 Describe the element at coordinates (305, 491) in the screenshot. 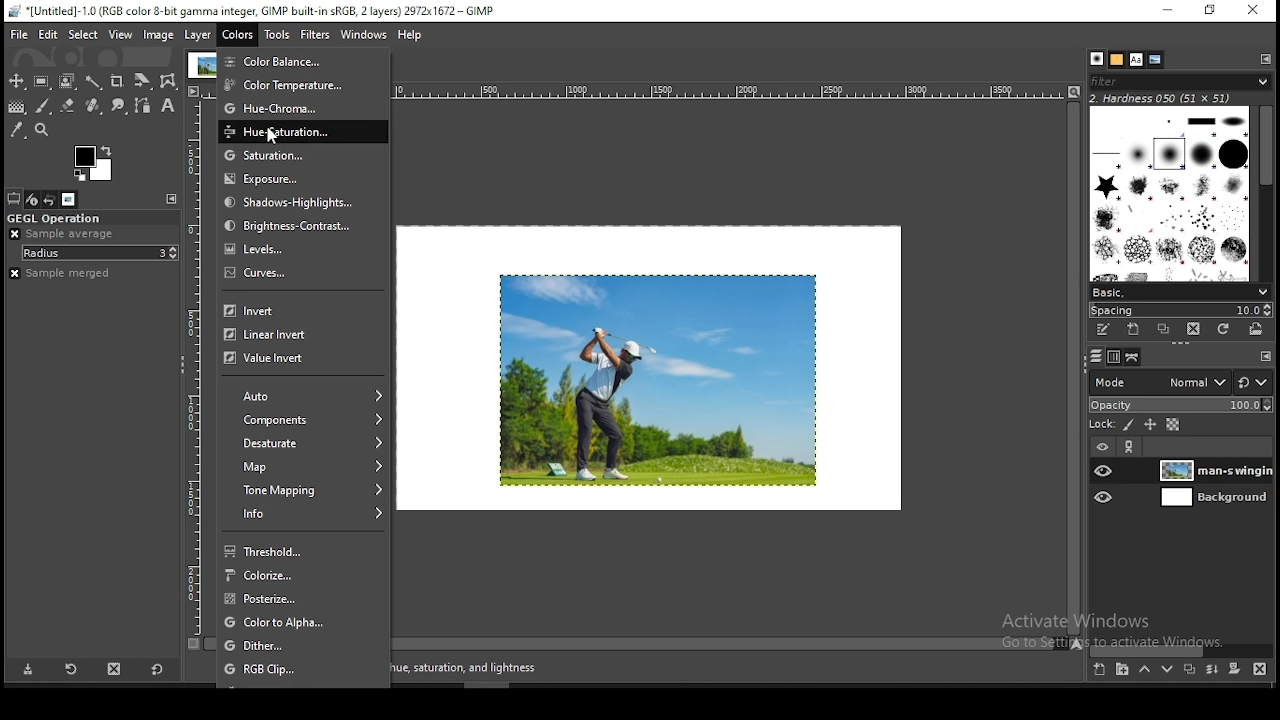

I see `tone mapping` at that location.